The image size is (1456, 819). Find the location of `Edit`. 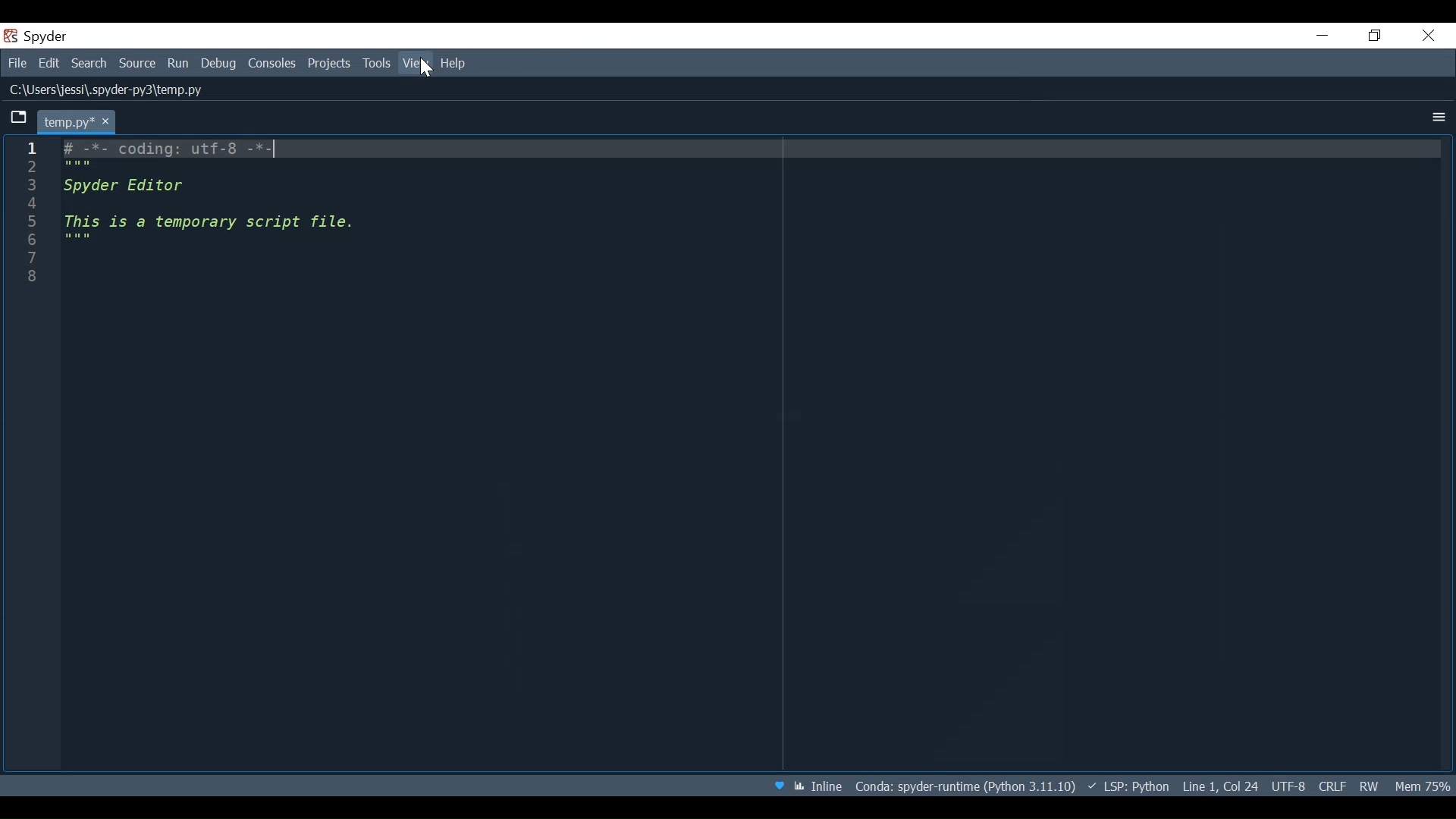

Edit is located at coordinates (49, 61).